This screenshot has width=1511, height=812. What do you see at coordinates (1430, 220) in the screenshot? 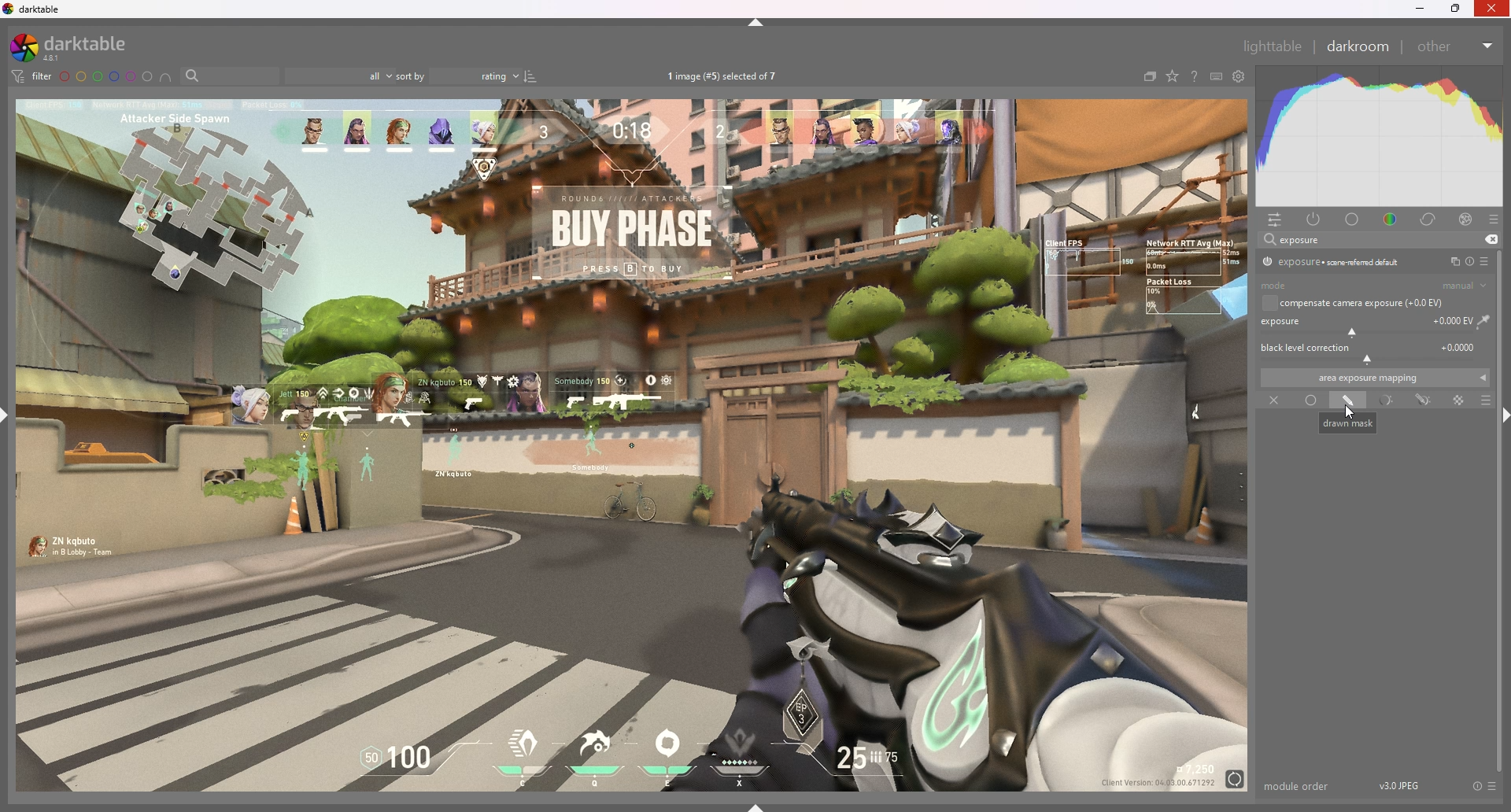
I see `correct` at bounding box center [1430, 220].